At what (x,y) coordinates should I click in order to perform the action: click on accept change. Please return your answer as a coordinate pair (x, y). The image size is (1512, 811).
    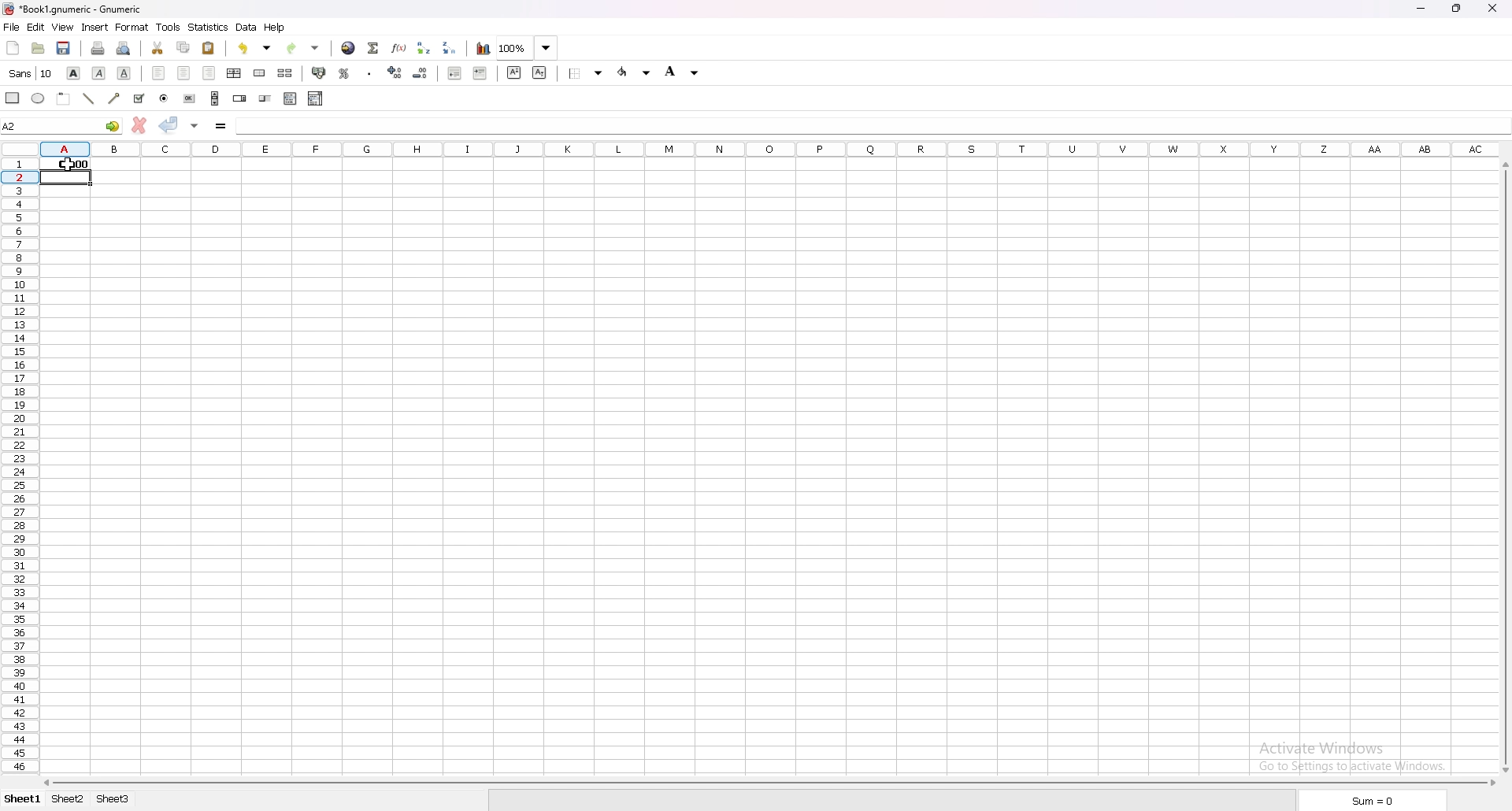
    Looking at the image, I should click on (169, 125).